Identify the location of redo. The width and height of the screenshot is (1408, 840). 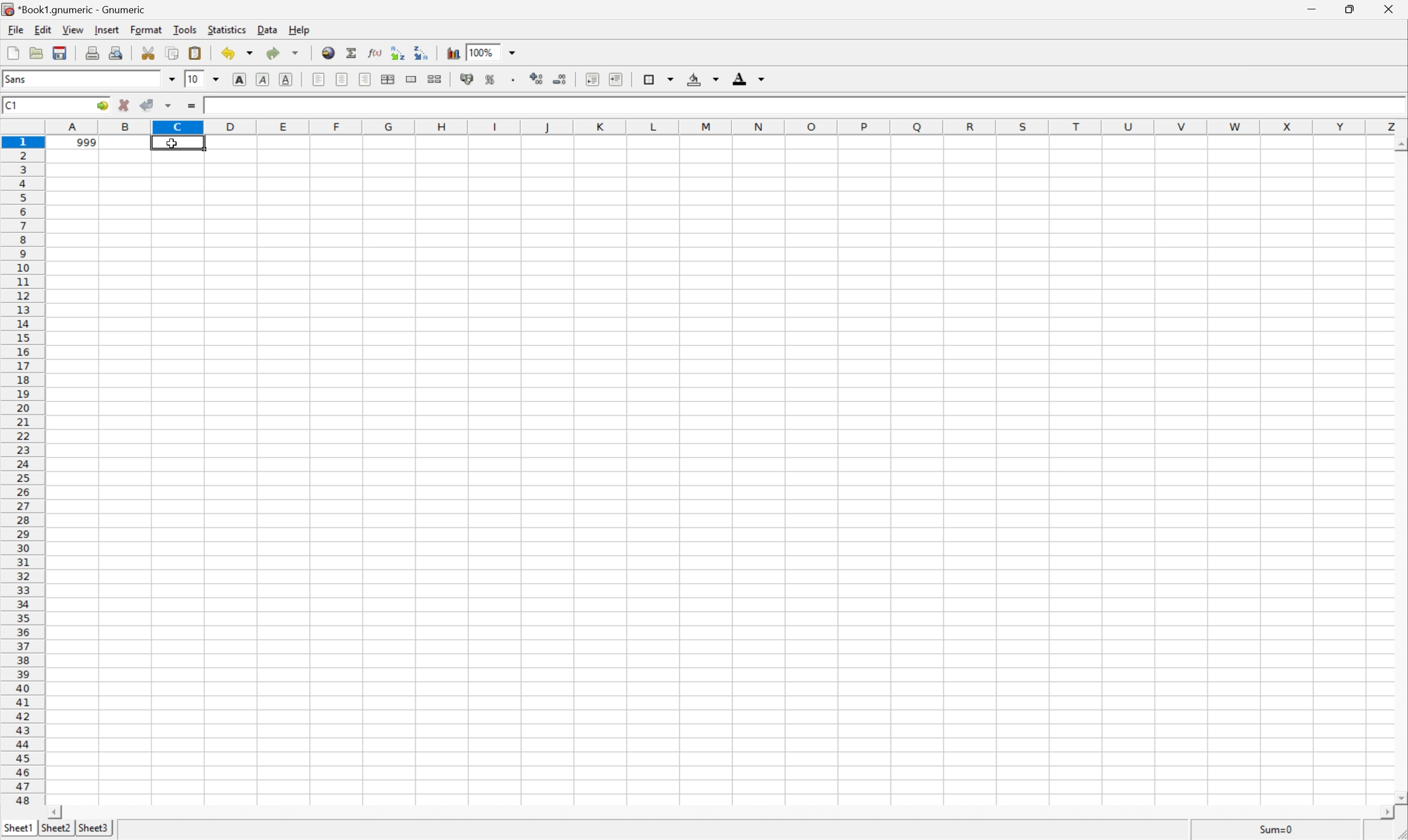
(283, 52).